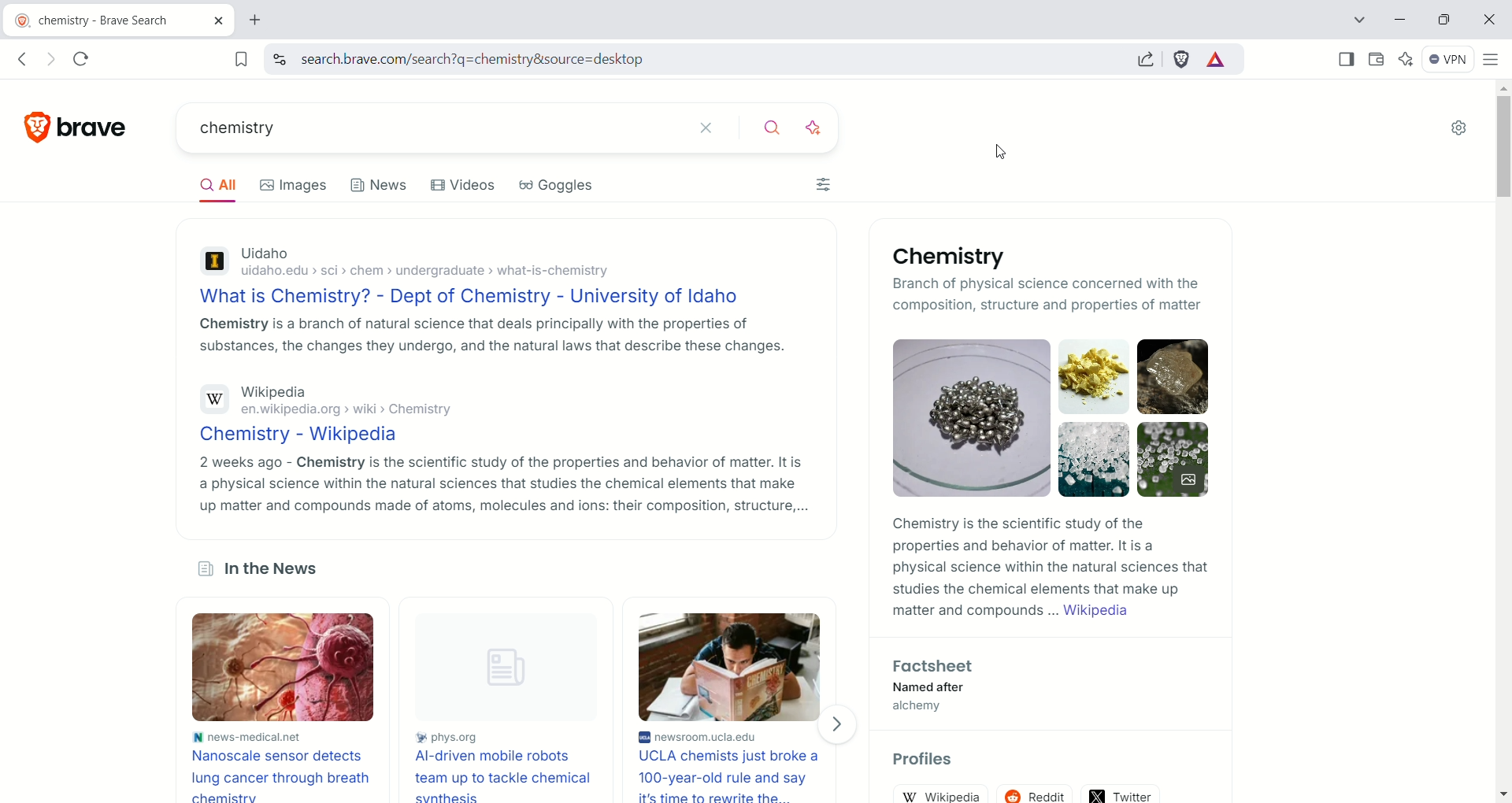  Describe the element at coordinates (500, 739) in the screenshot. I see `phys.org` at that location.